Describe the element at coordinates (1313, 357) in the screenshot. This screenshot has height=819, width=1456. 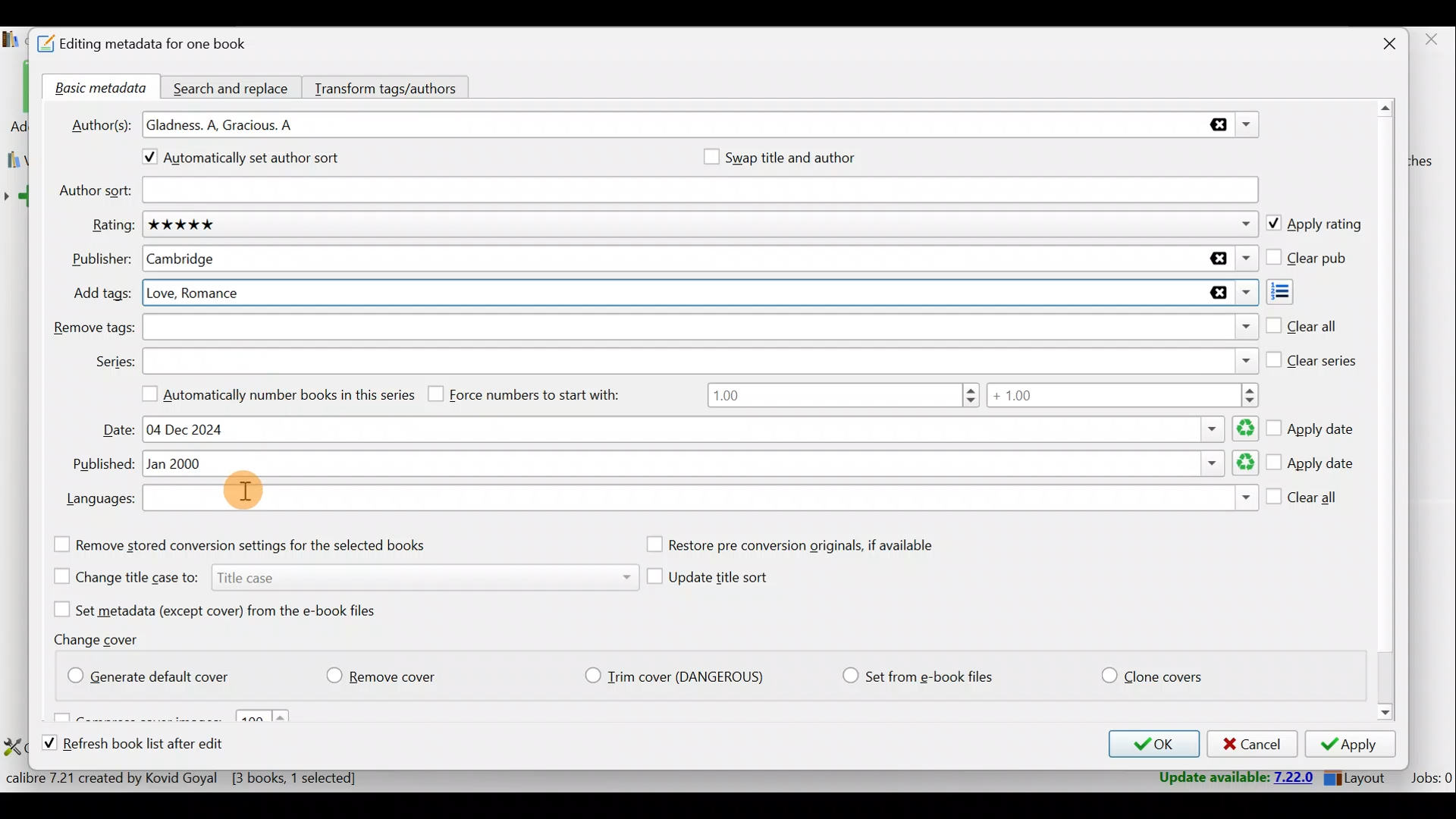
I see `Clear series` at that location.